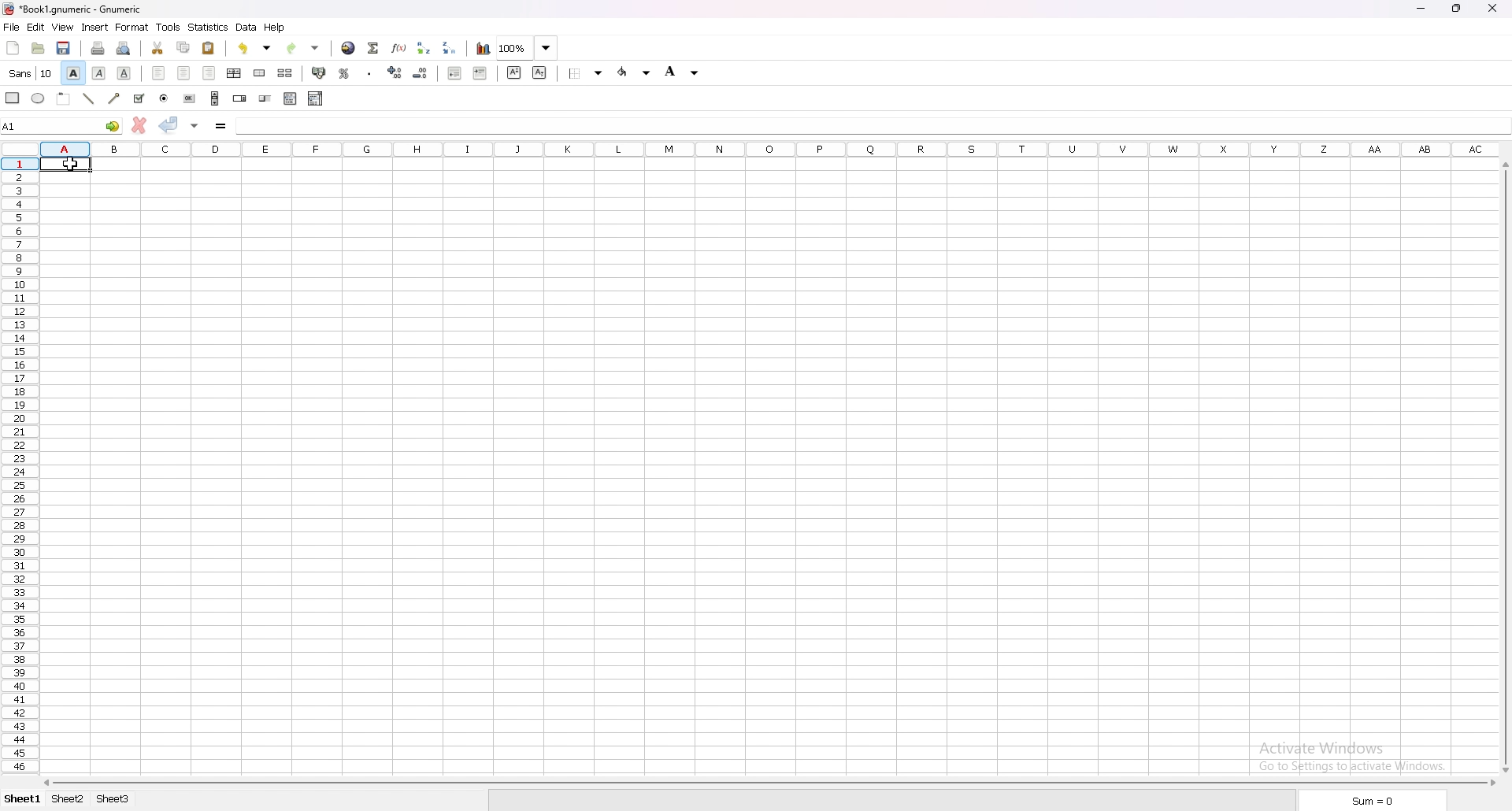 The height and width of the screenshot is (811, 1512). I want to click on sum, so click(1371, 801).